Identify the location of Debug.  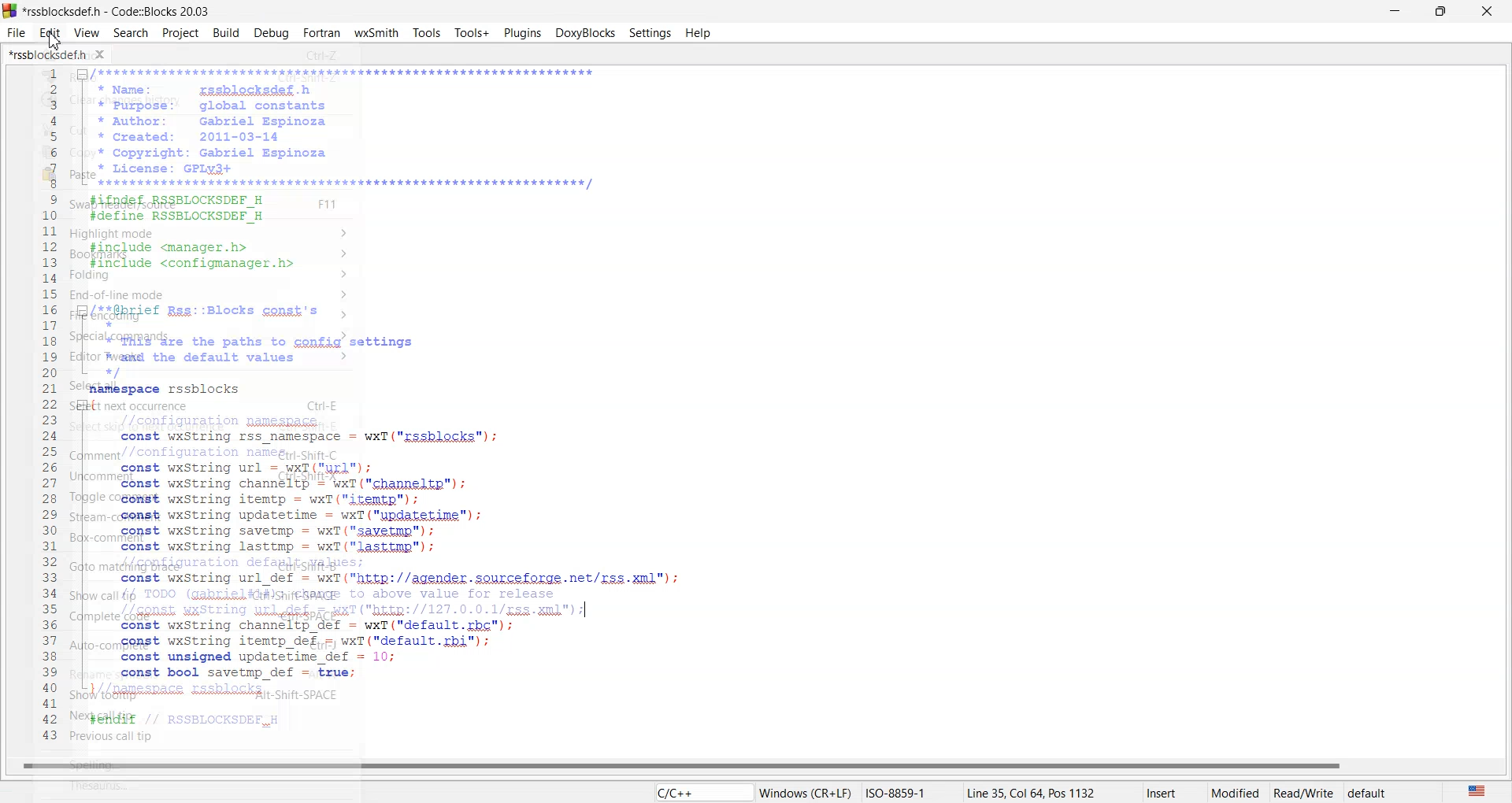
(271, 33).